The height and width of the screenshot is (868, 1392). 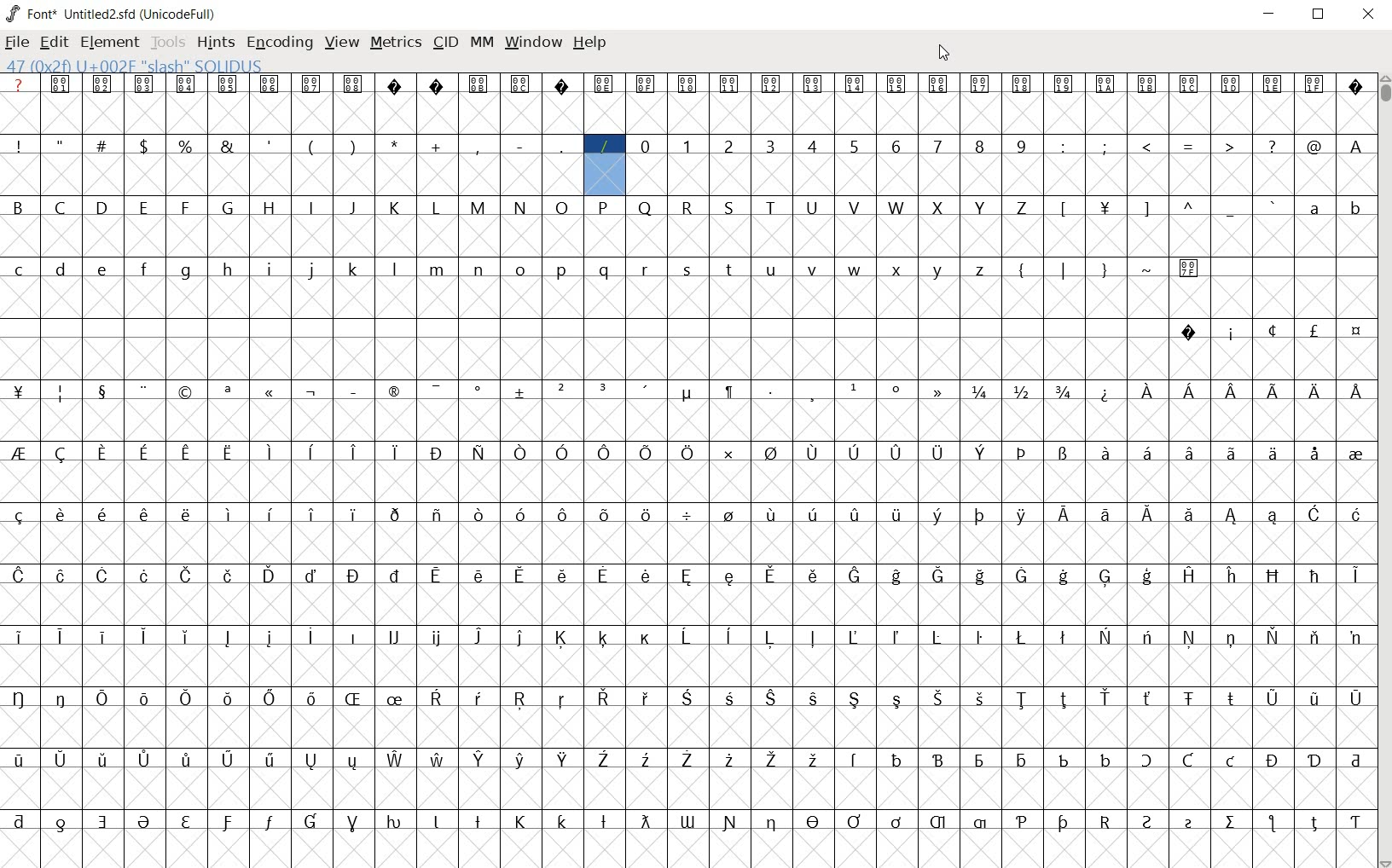 I want to click on glyph, so click(x=728, y=636).